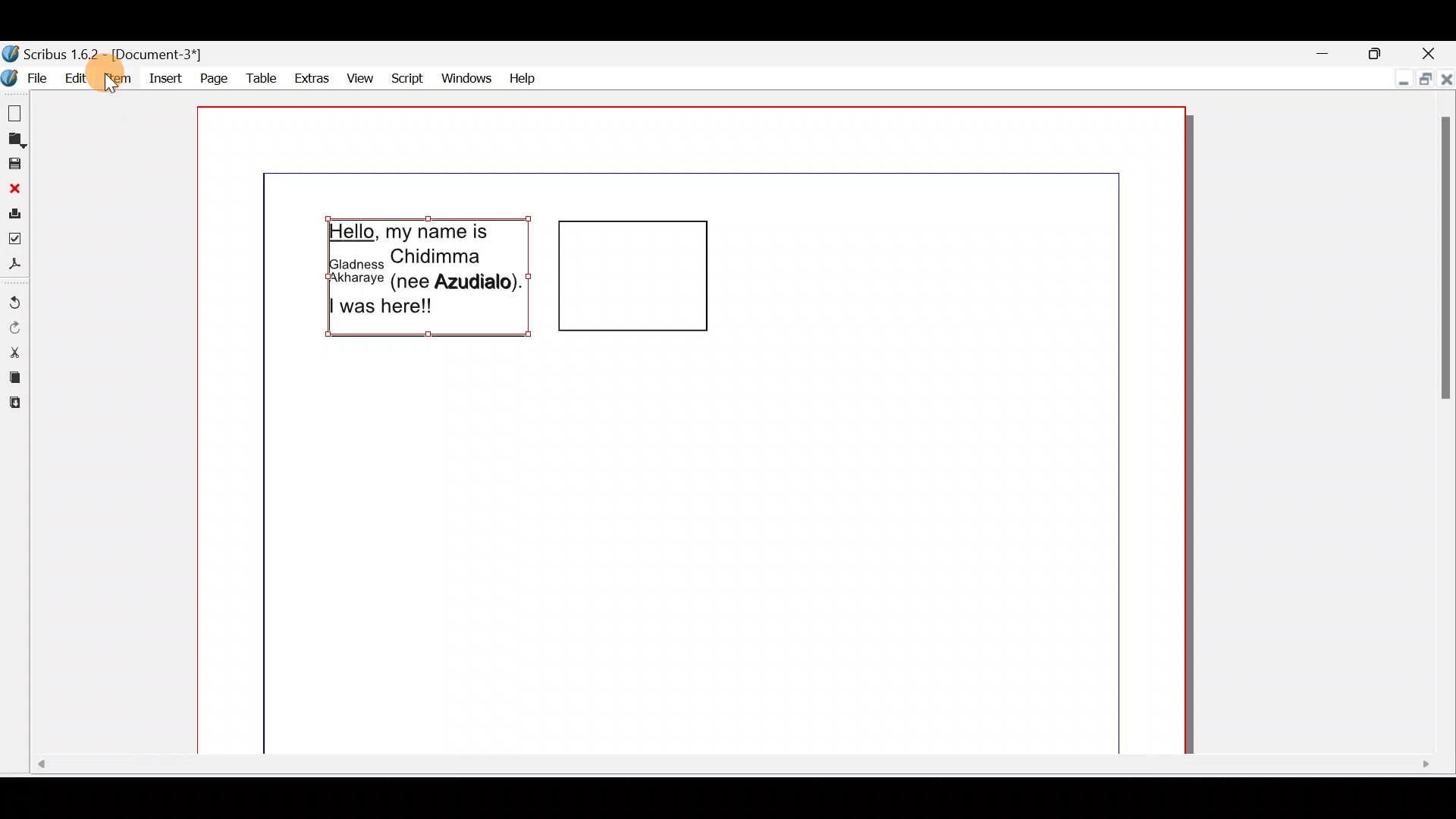 The height and width of the screenshot is (819, 1456). Describe the element at coordinates (210, 77) in the screenshot. I see `Page` at that location.